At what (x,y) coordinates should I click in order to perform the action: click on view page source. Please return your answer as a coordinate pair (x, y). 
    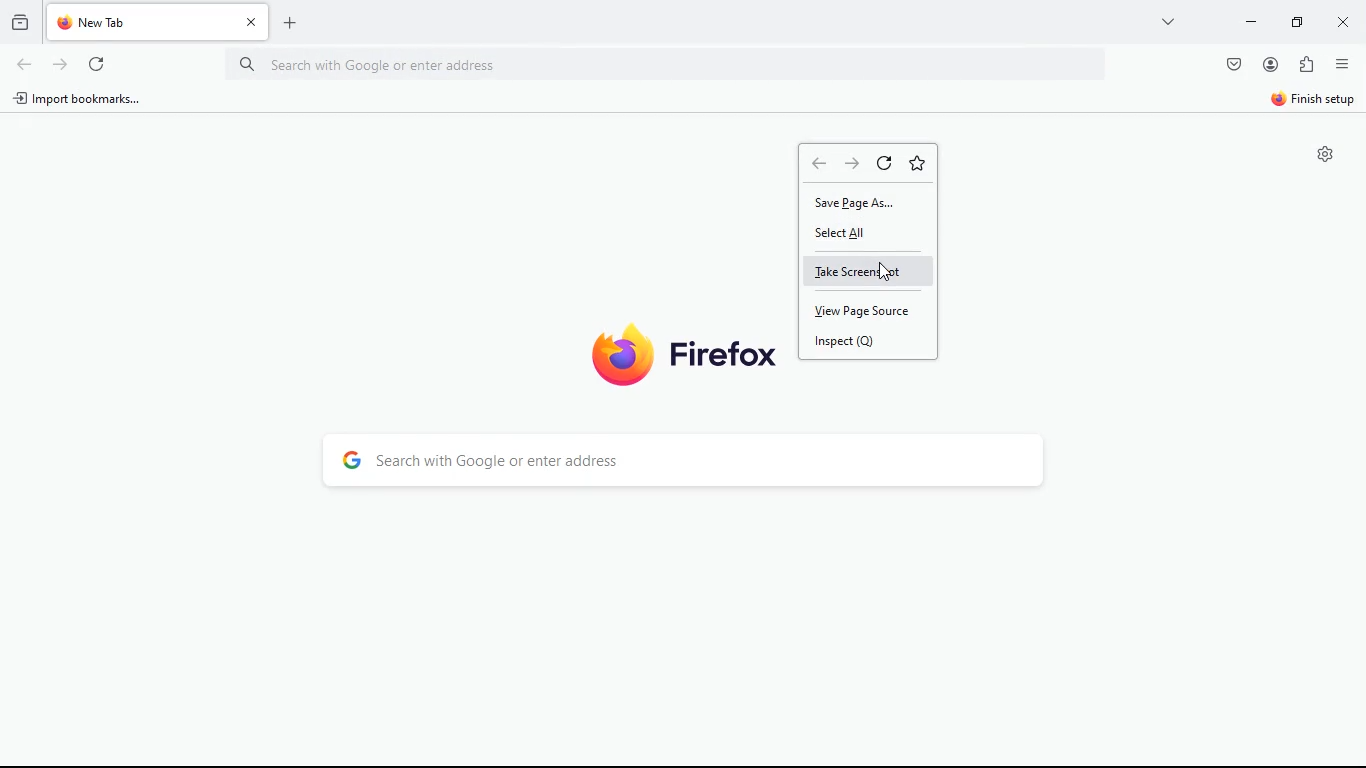
    Looking at the image, I should click on (870, 310).